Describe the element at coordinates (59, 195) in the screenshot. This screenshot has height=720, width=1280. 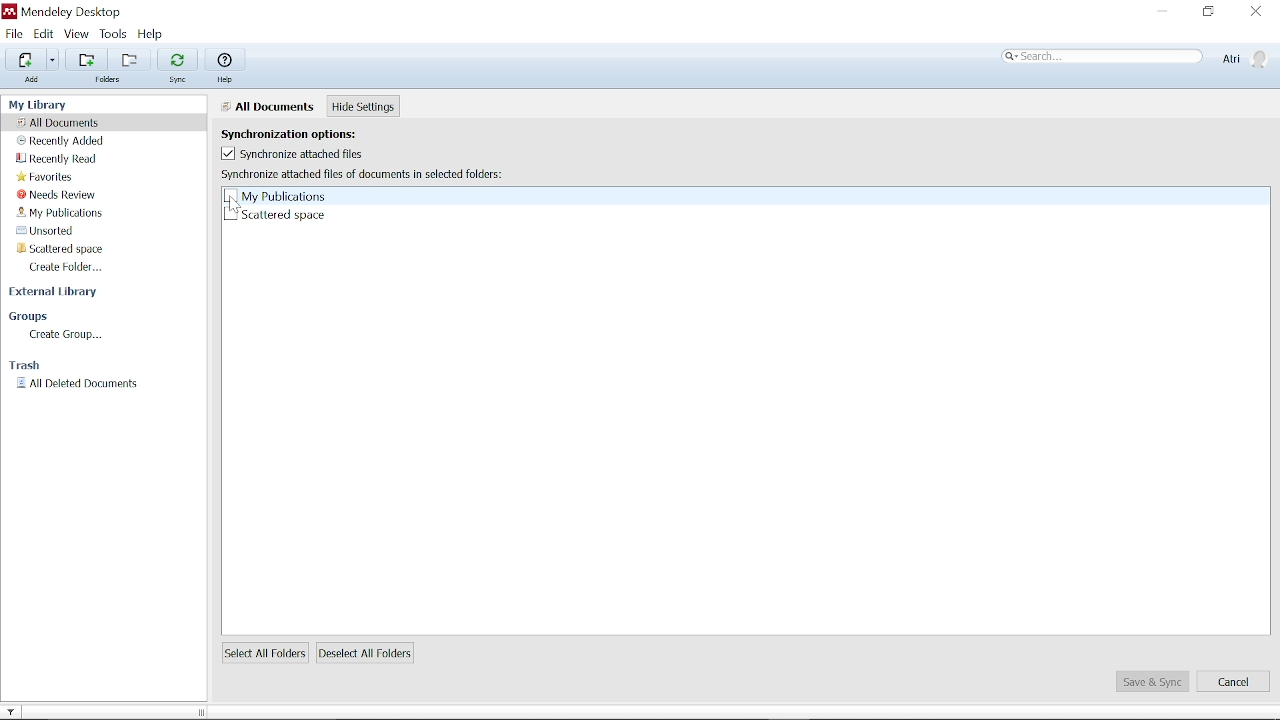
I see `Needs review` at that location.